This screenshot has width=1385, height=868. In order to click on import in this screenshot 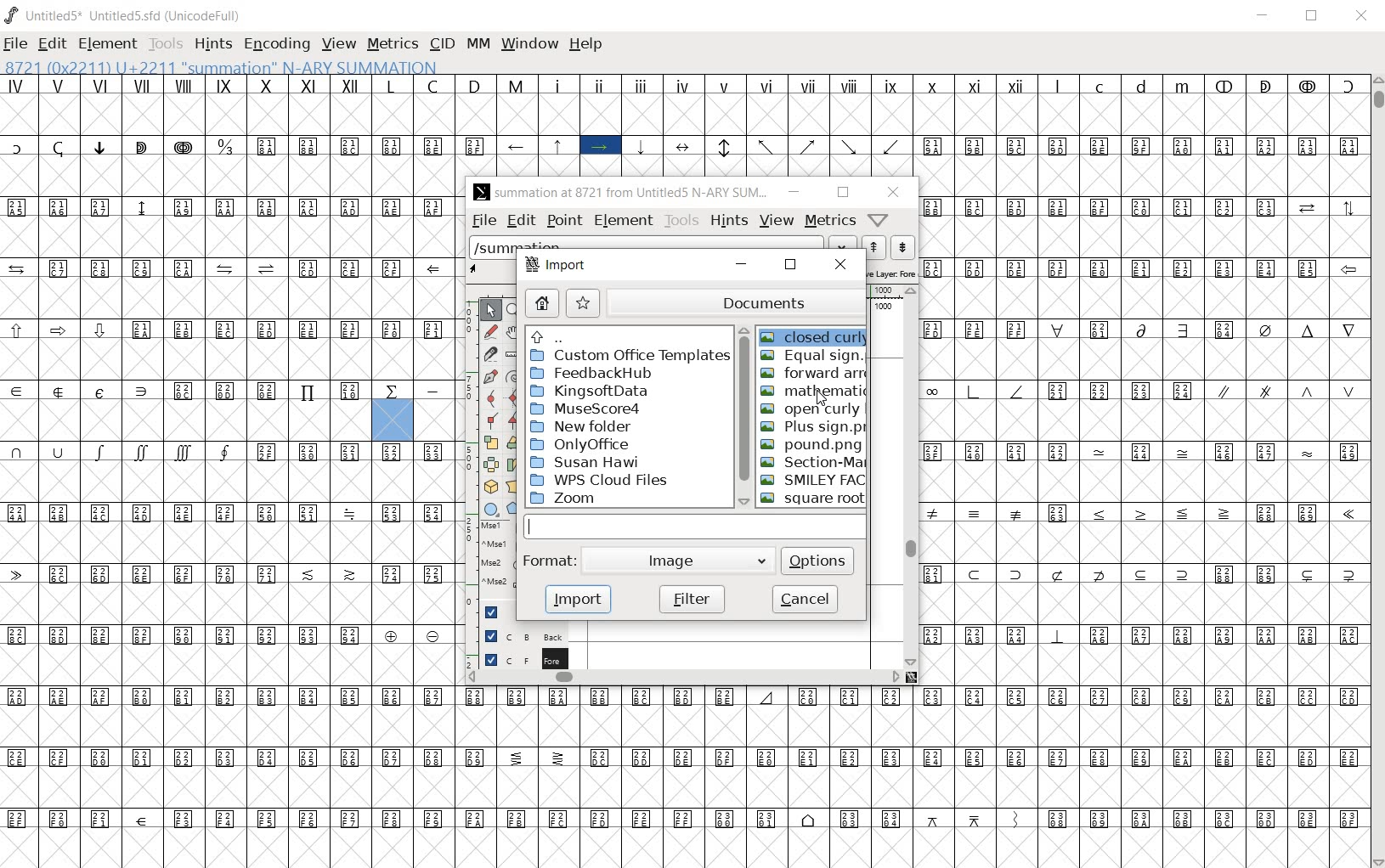, I will do `click(559, 268)`.